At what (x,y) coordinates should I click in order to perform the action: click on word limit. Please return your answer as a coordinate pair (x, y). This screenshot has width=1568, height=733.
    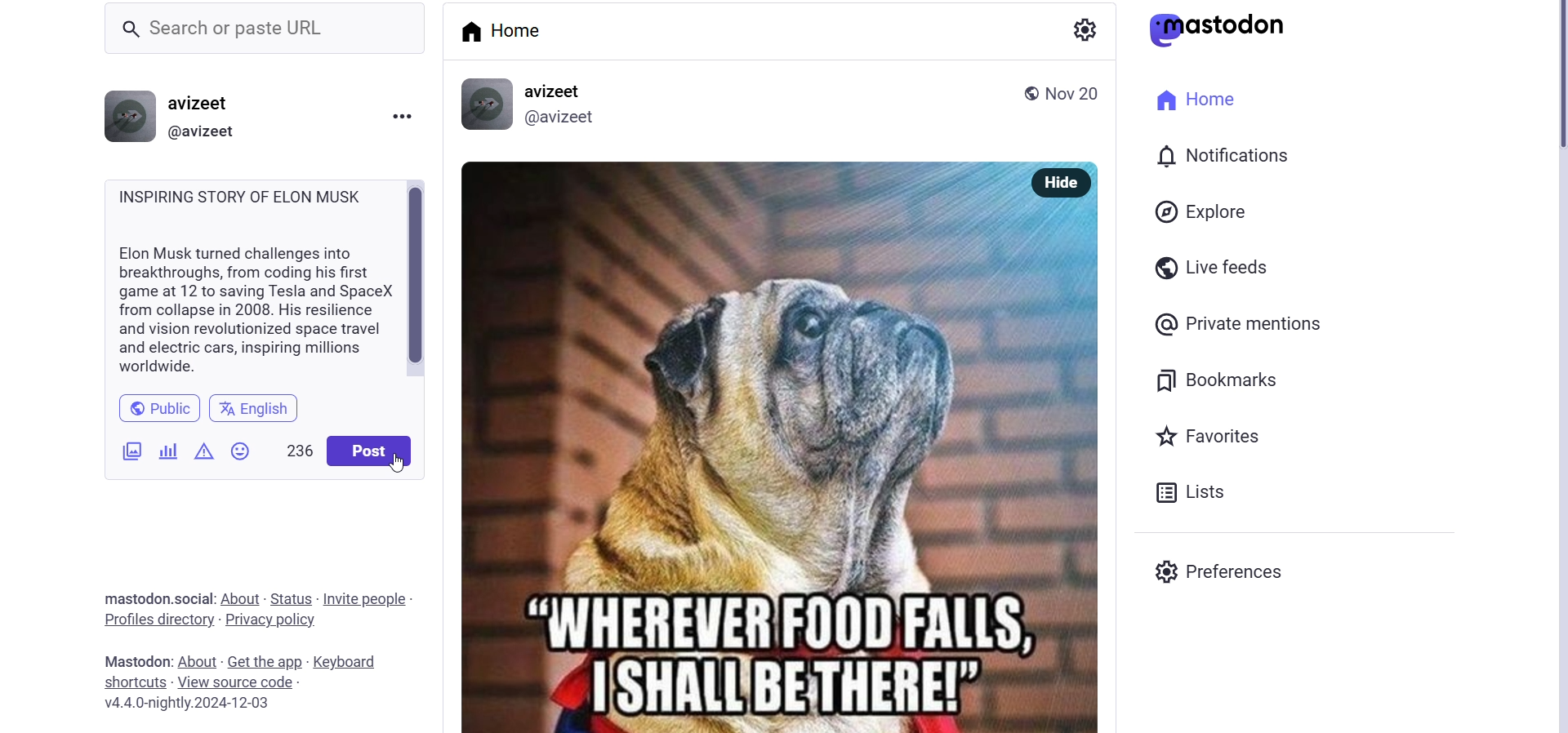
    Looking at the image, I should click on (294, 448).